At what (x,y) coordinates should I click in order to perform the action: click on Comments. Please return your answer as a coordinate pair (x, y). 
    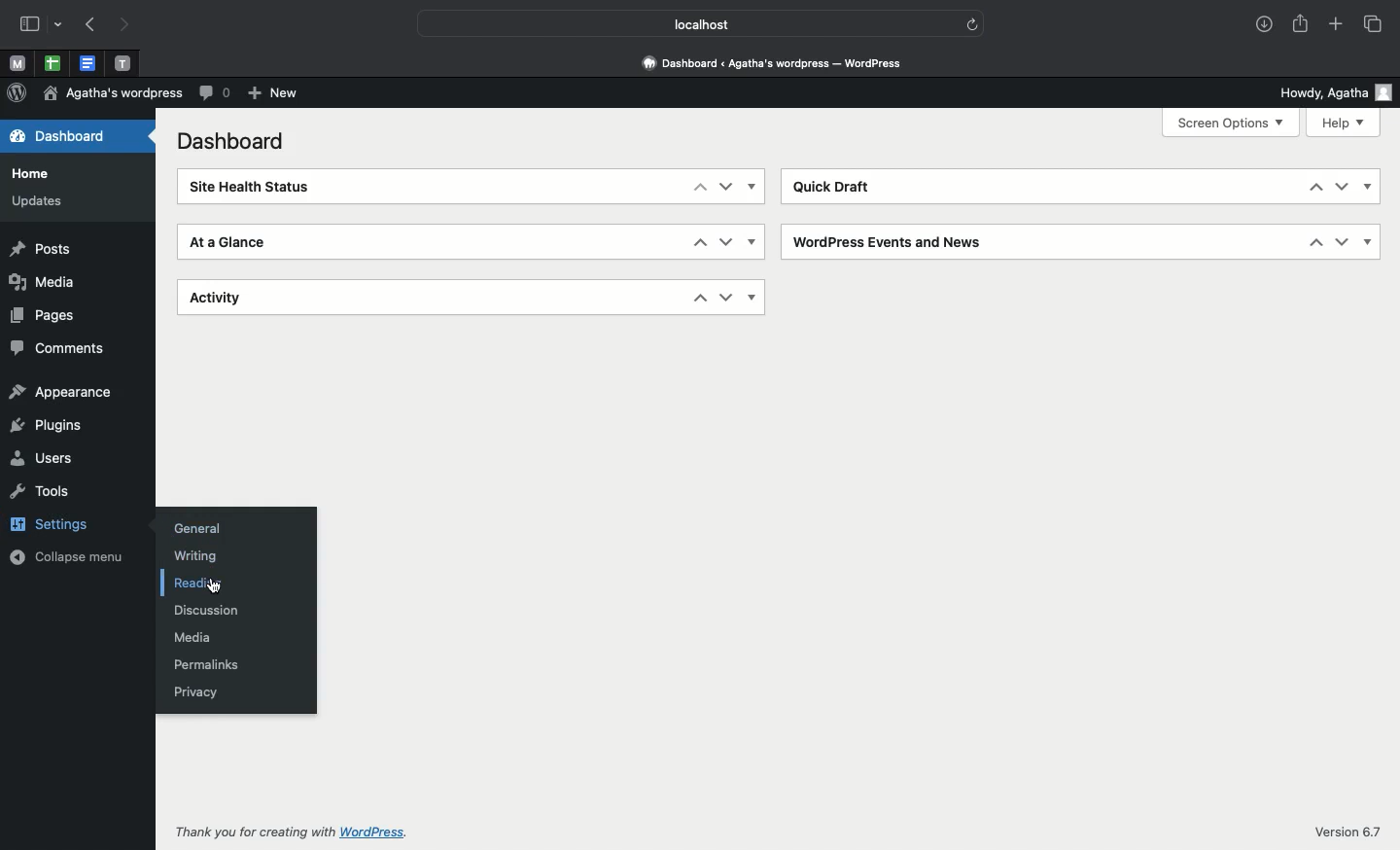
    Looking at the image, I should click on (60, 346).